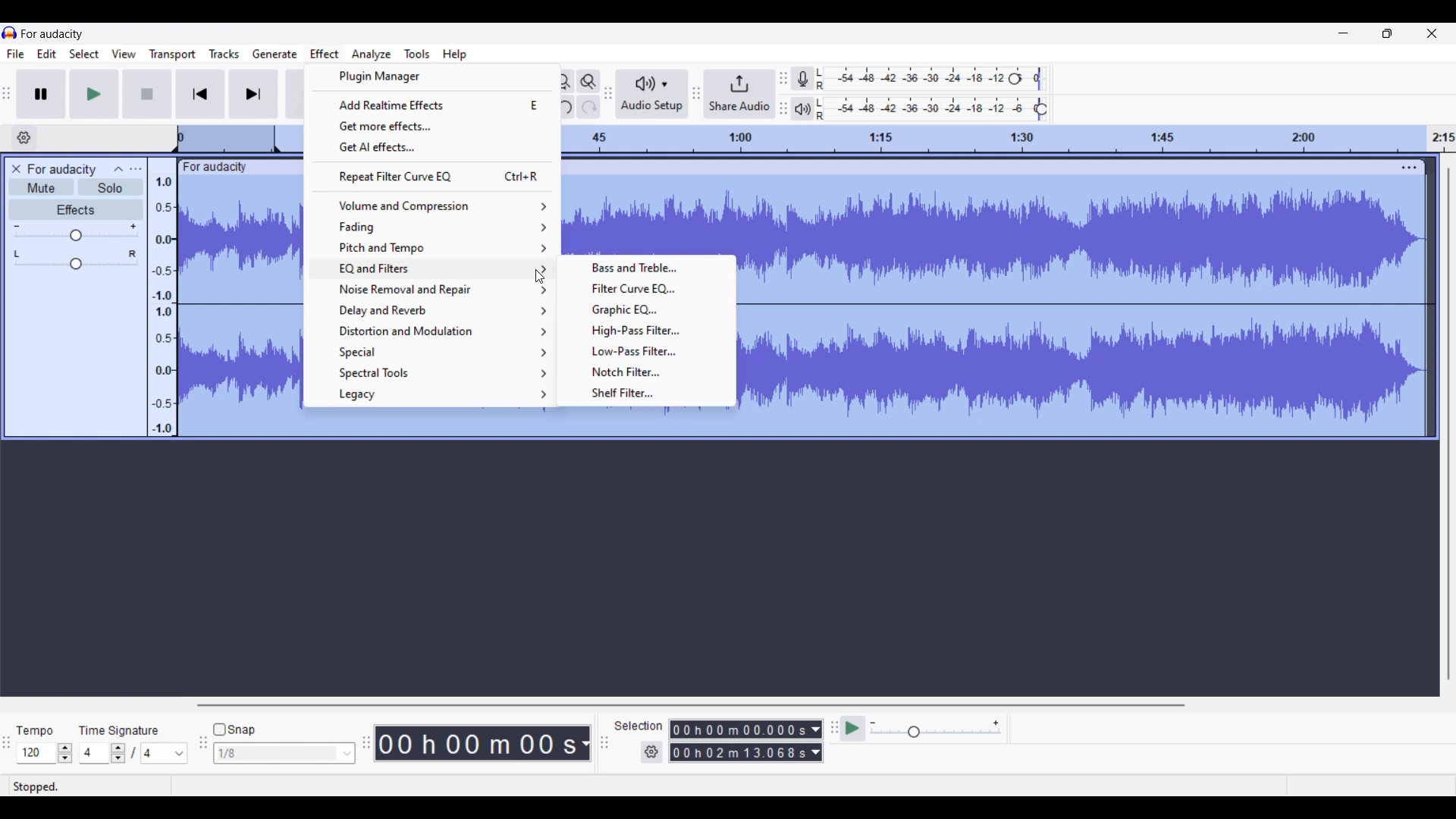 The height and width of the screenshot is (819, 1456). Describe the element at coordinates (434, 311) in the screenshot. I see `Delay and reverb options` at that location.